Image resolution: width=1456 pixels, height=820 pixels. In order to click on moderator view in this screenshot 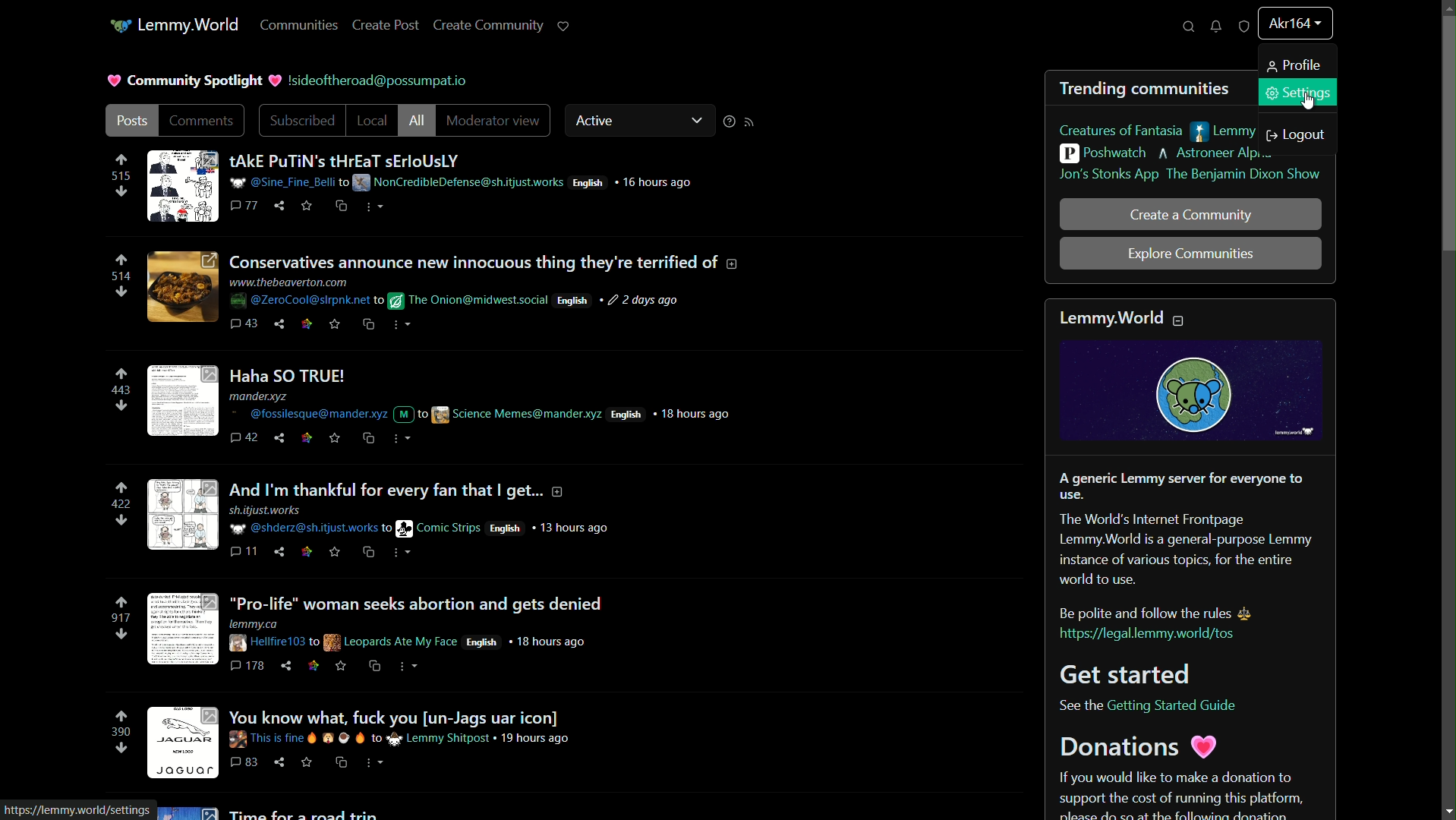, I will do `click(493, 120)`.